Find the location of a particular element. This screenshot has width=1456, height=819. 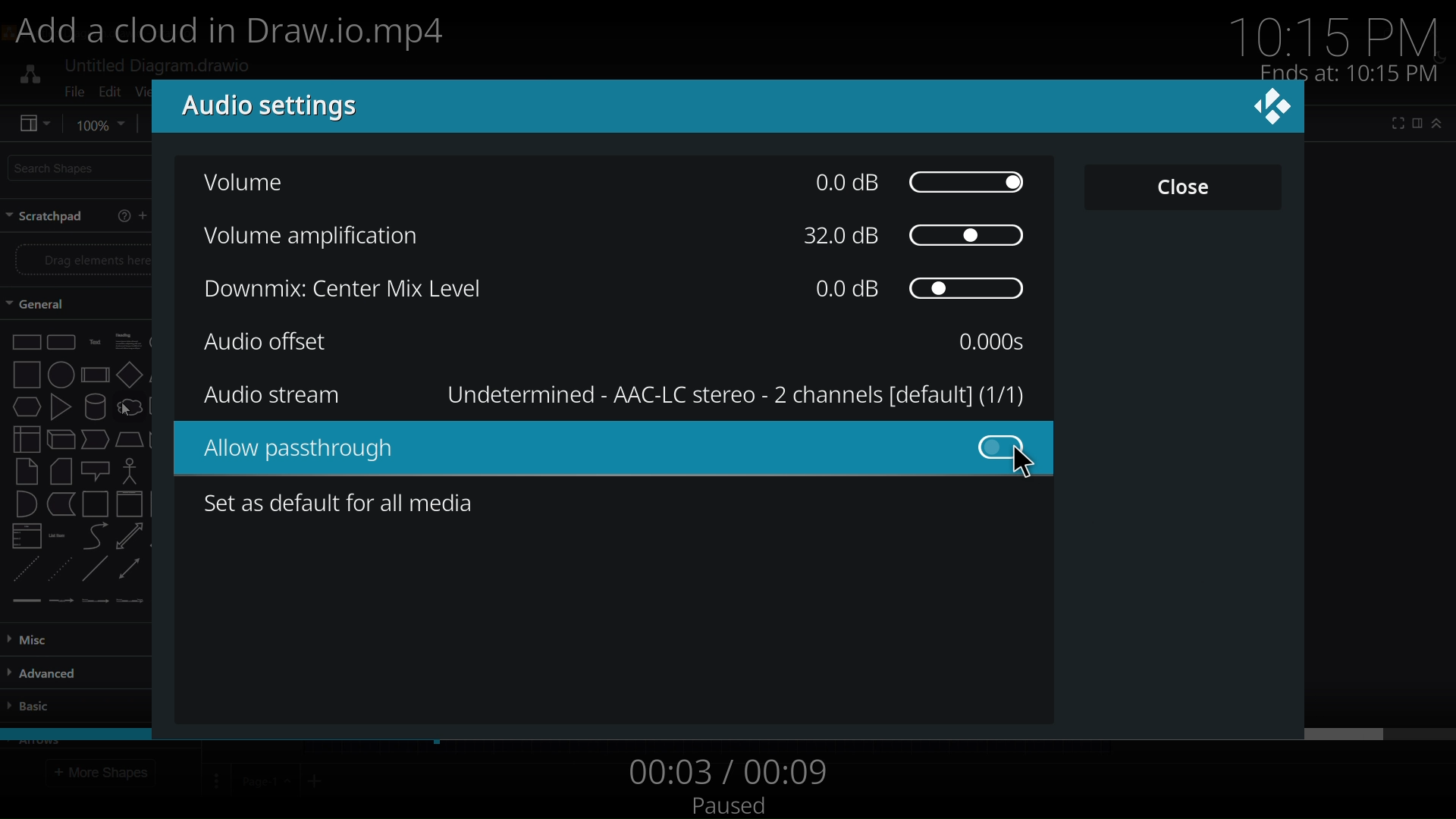

10:15 PM is located at coordinates (1339, 36).